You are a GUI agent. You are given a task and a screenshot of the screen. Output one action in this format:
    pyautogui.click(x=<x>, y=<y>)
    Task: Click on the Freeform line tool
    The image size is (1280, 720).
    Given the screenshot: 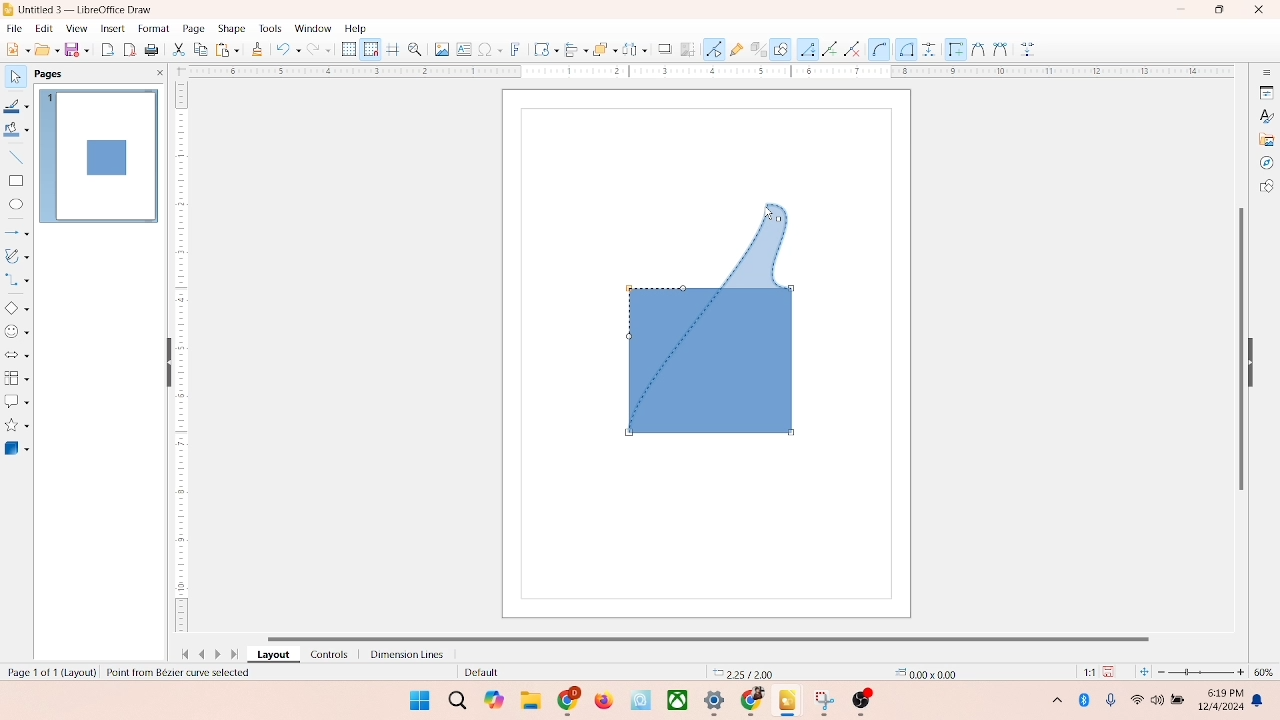 What is the action you would take?
    pyautogui.click(x=830, y=49)
    